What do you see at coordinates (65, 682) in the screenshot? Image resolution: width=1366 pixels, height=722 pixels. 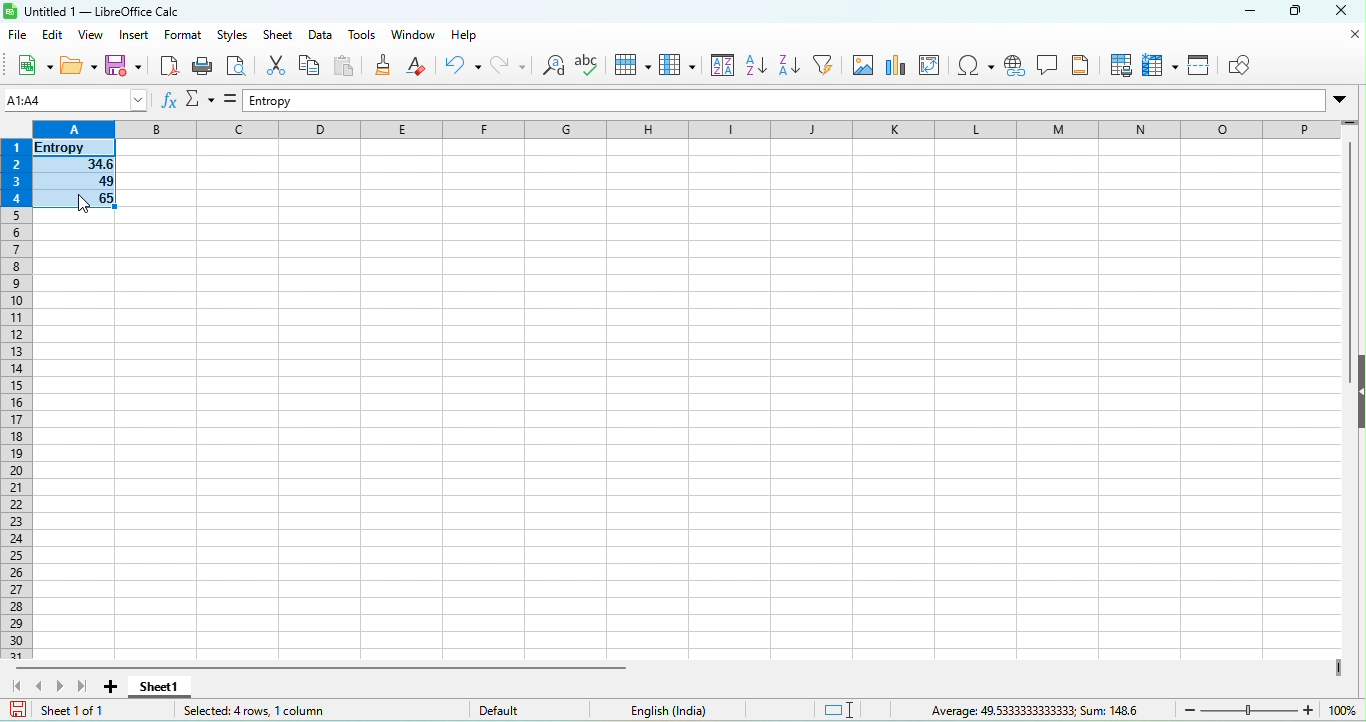 I see `scroll to next sheet` at bounding box center [65, 682].